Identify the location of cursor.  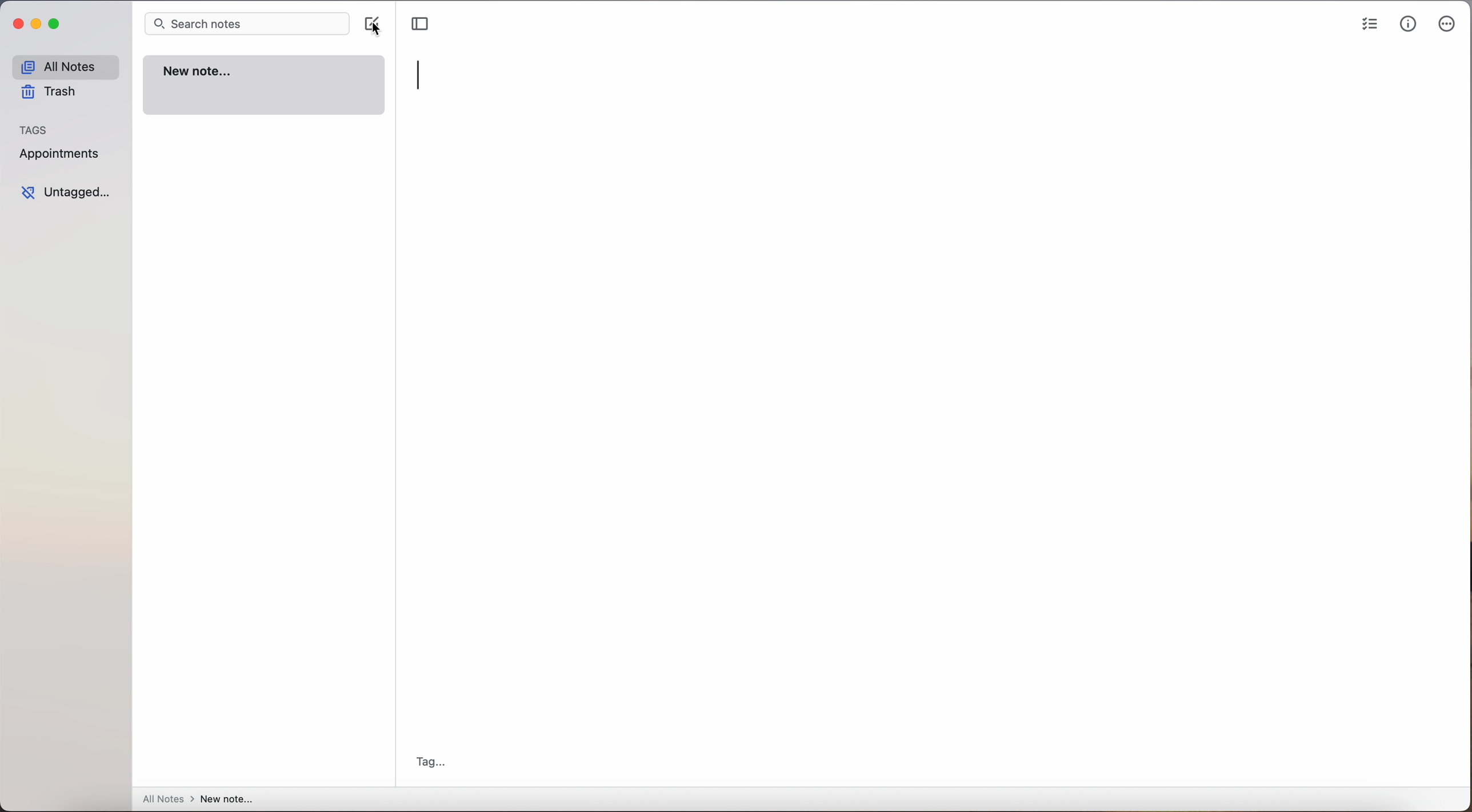
(378, 31).